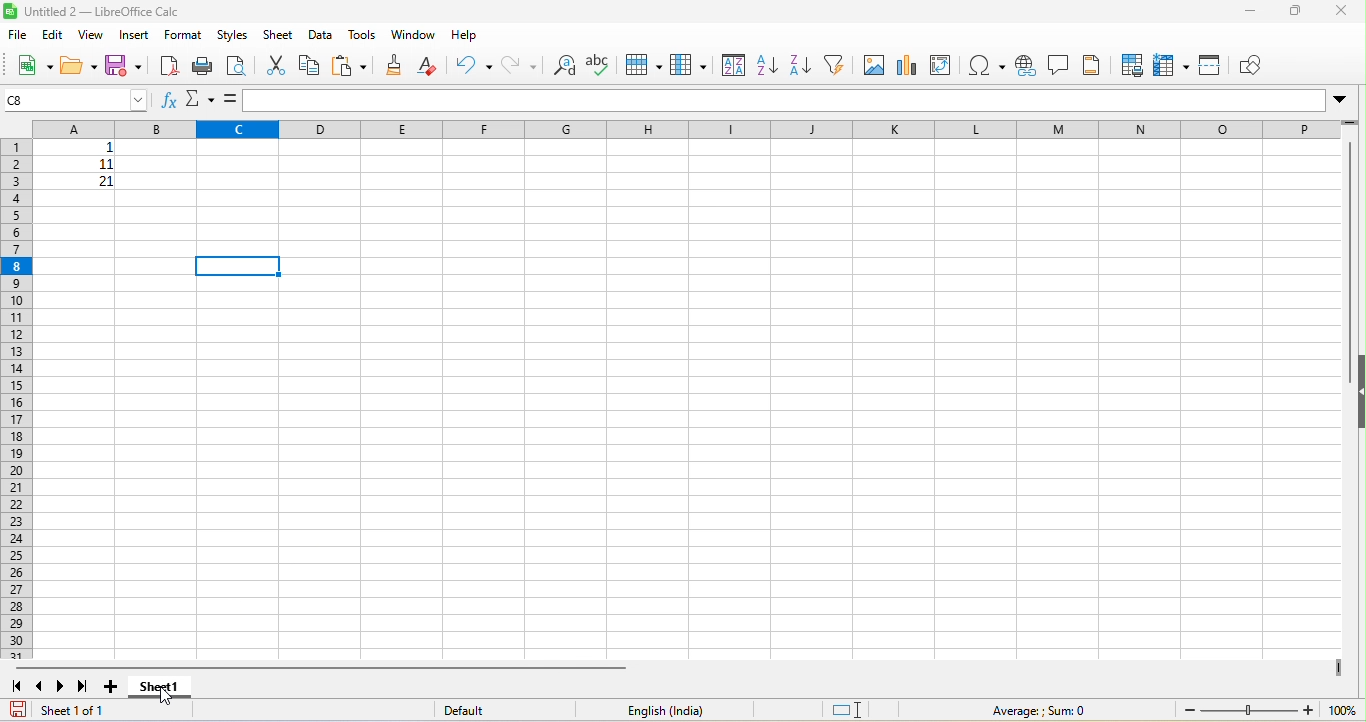 This screenshot has height=722, width=1366. I want to click on clear direct formatting, so click(432, 66).